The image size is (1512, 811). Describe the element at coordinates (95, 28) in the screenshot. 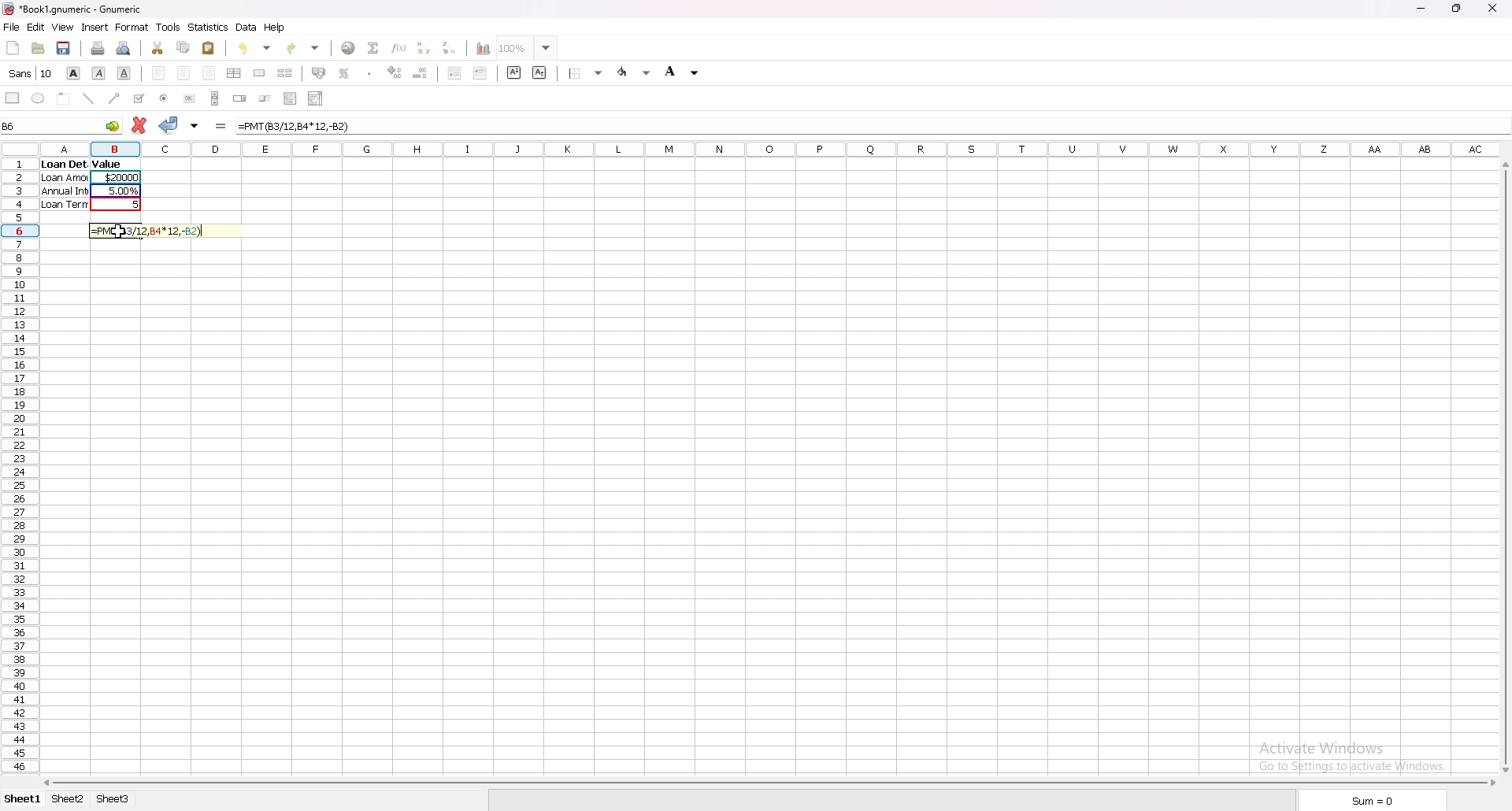

I see `insert` at that location.